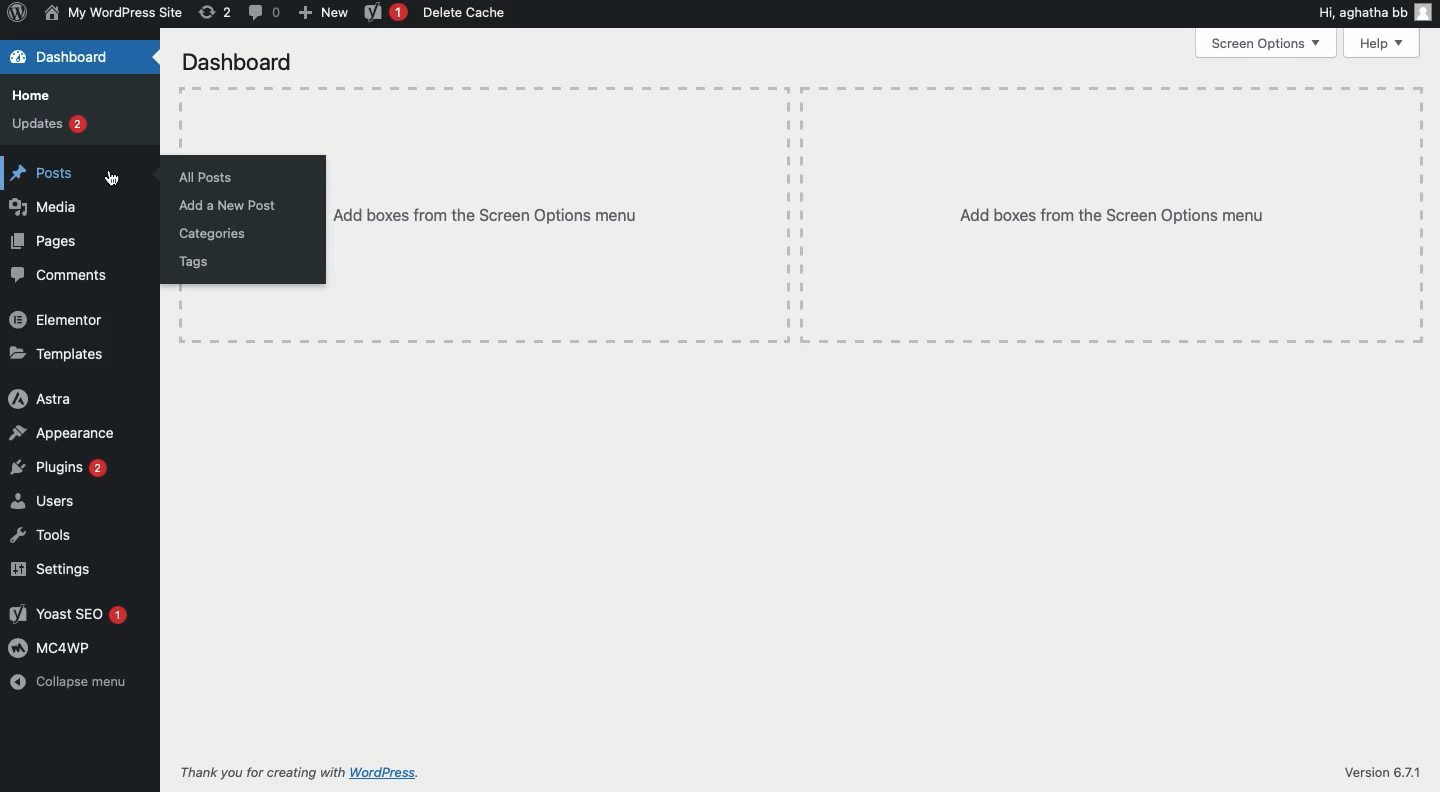  I want to click on Revision, so click(213, 14).